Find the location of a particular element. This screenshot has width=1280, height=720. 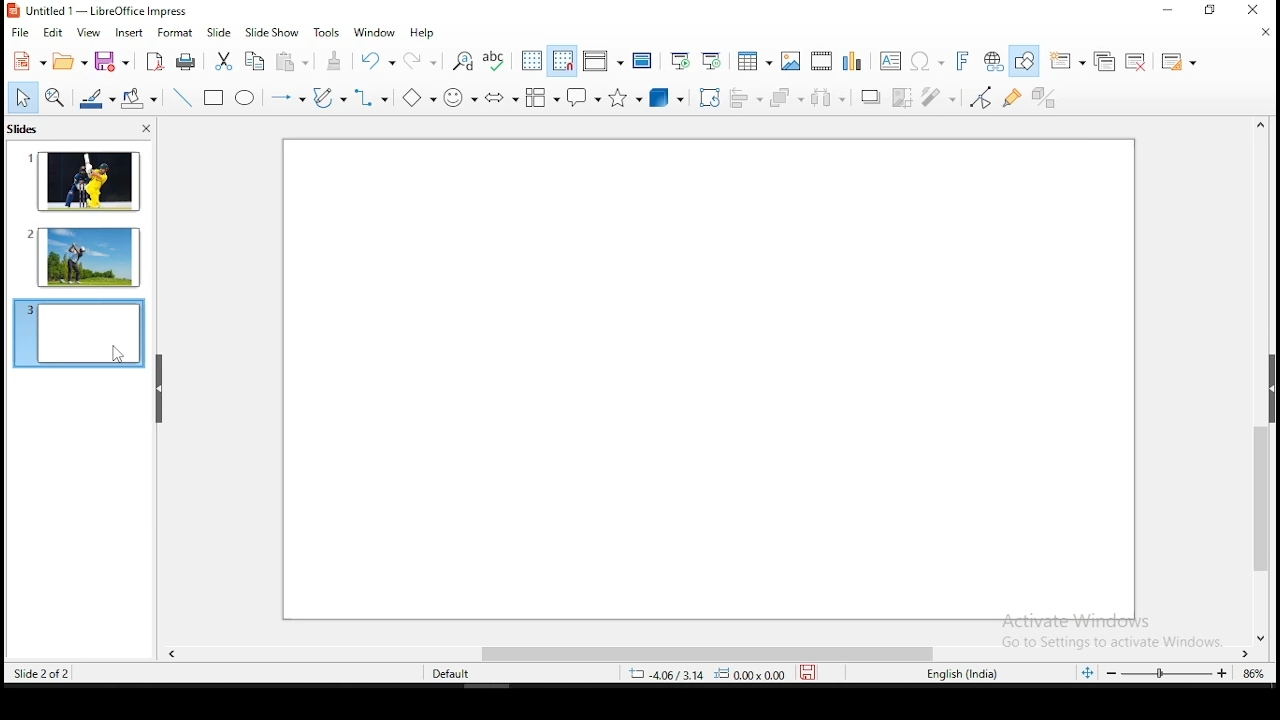

slide layout is located at coordinates (1177, 66).